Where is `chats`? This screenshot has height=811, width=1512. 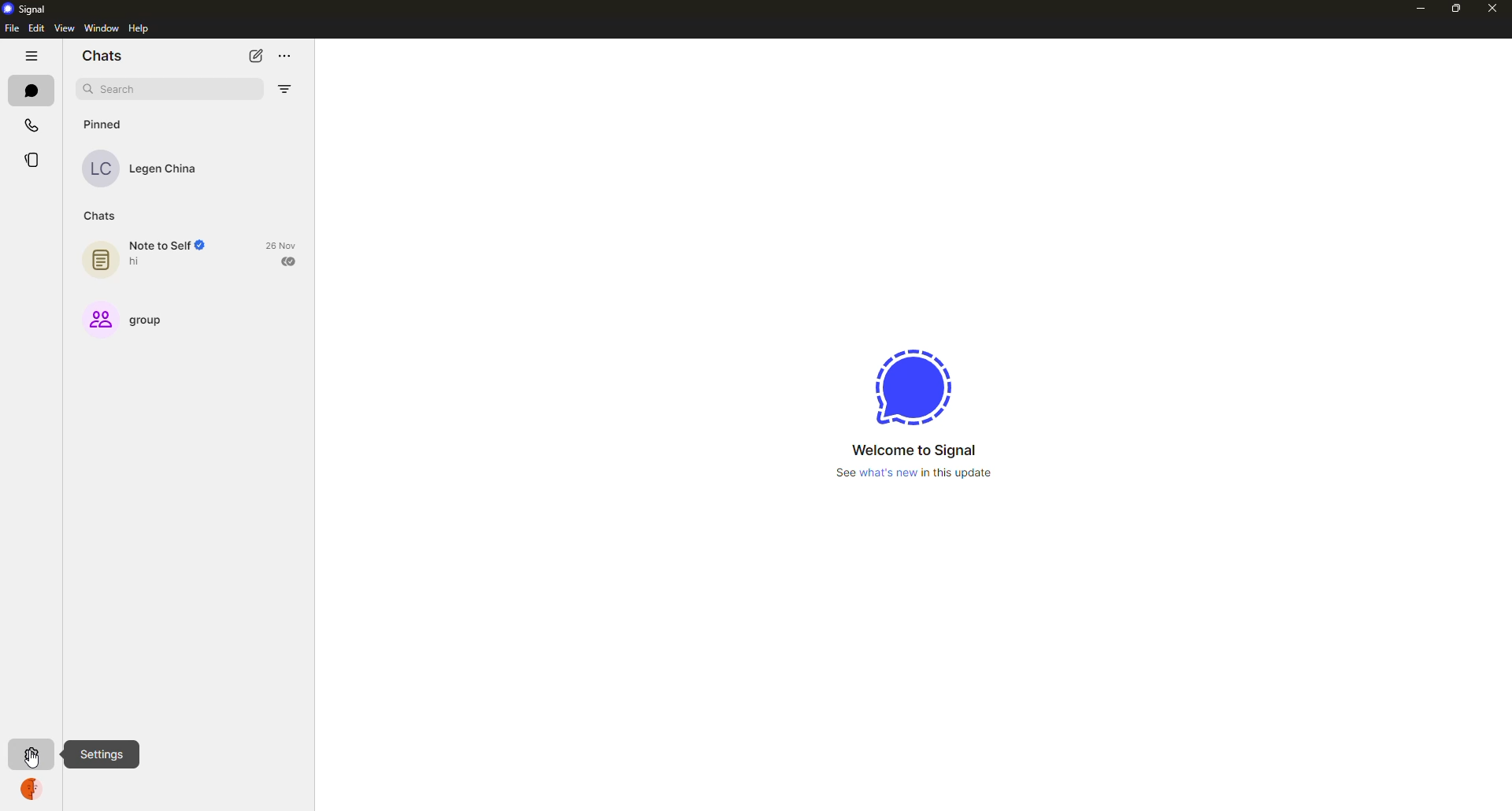
chats is located at coordinates (101, 57).